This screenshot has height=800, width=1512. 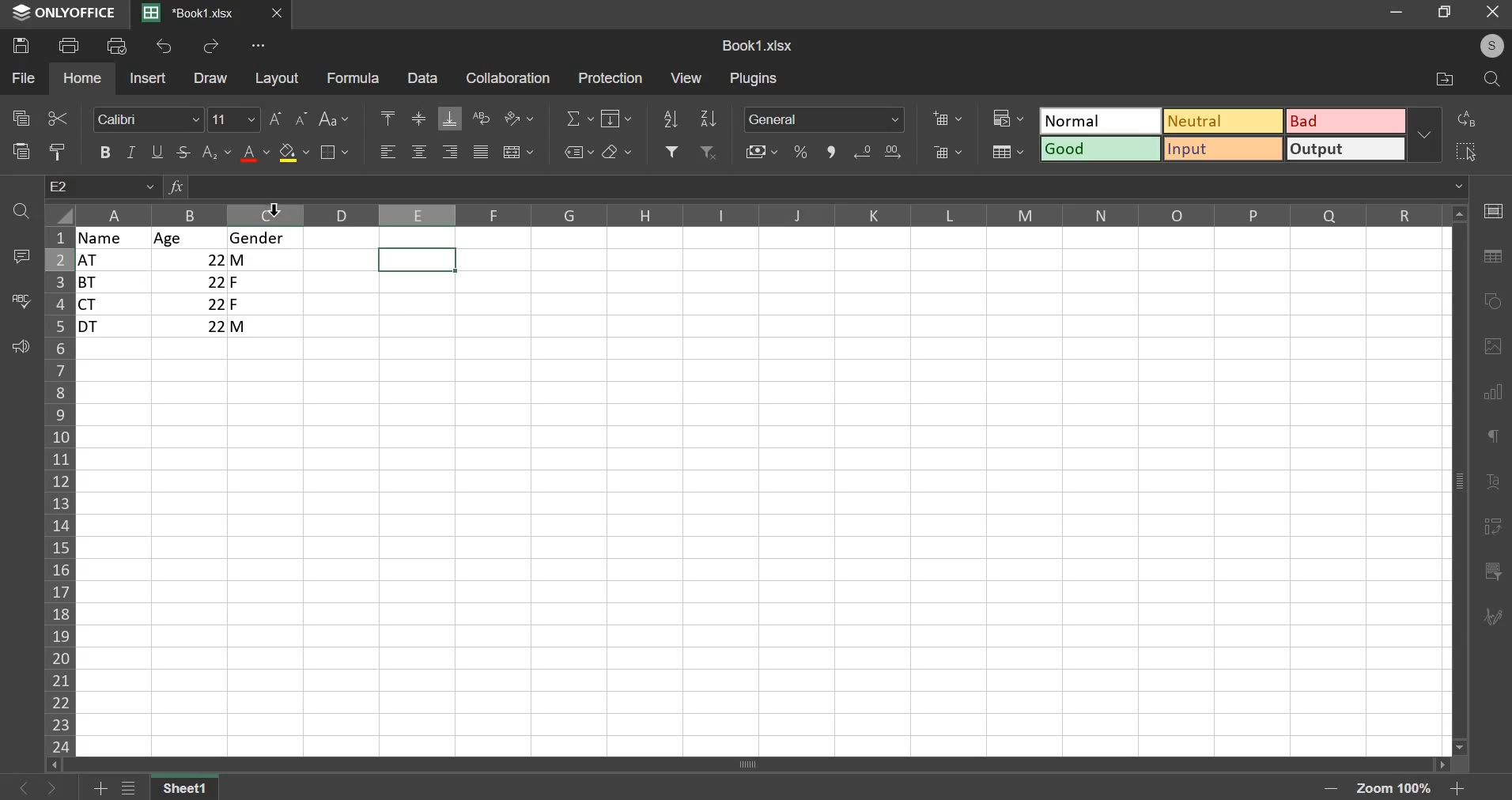 What do you see at coordinates (758, 45) in the screenshot?
I see `book1.xlsx` at bounding box center [758, 45].